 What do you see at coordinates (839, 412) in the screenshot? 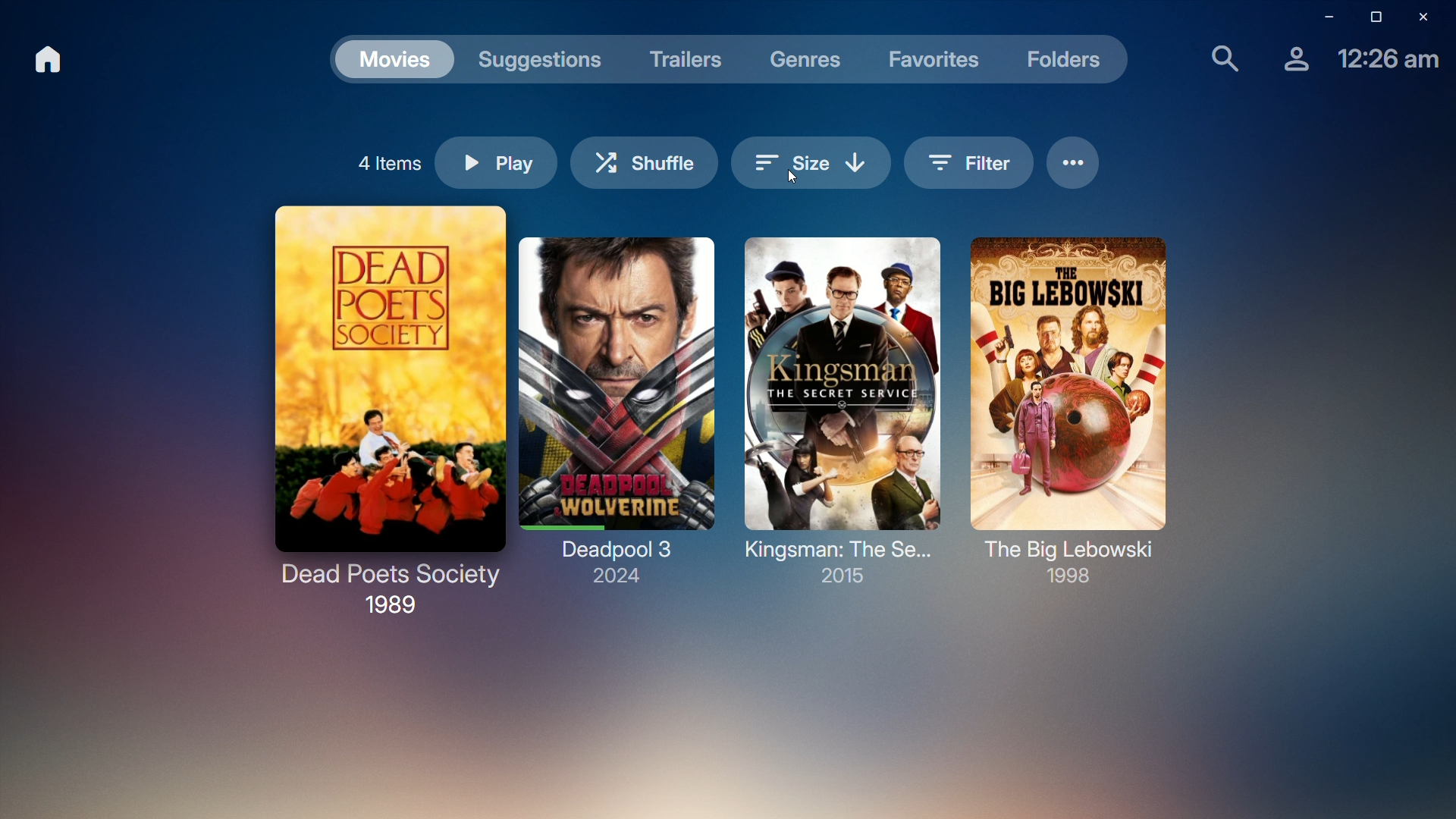
I see `Kingsman` at bounding box center [839, 412].